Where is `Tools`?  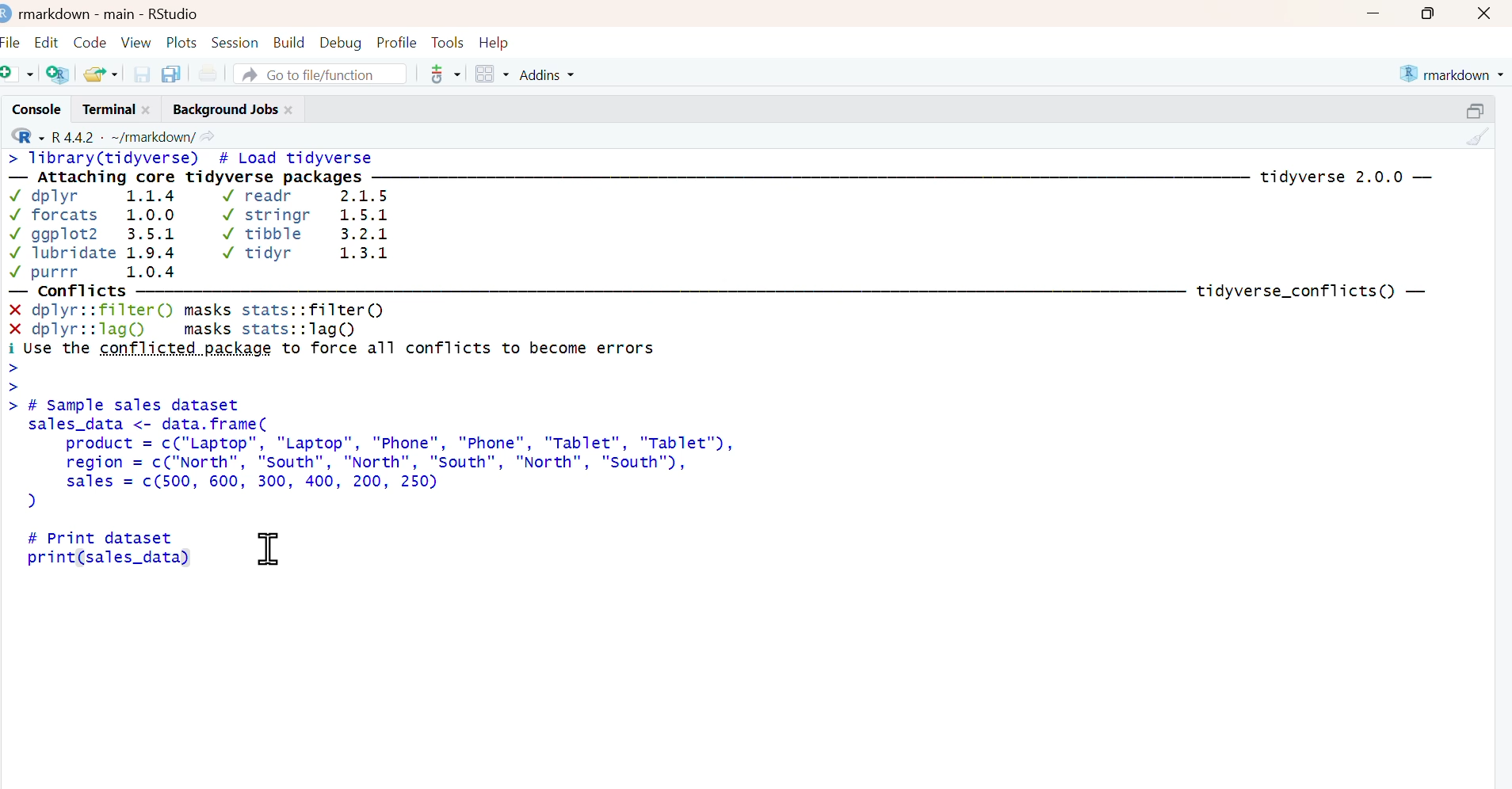
Tools is located at coordinates (447, 40).